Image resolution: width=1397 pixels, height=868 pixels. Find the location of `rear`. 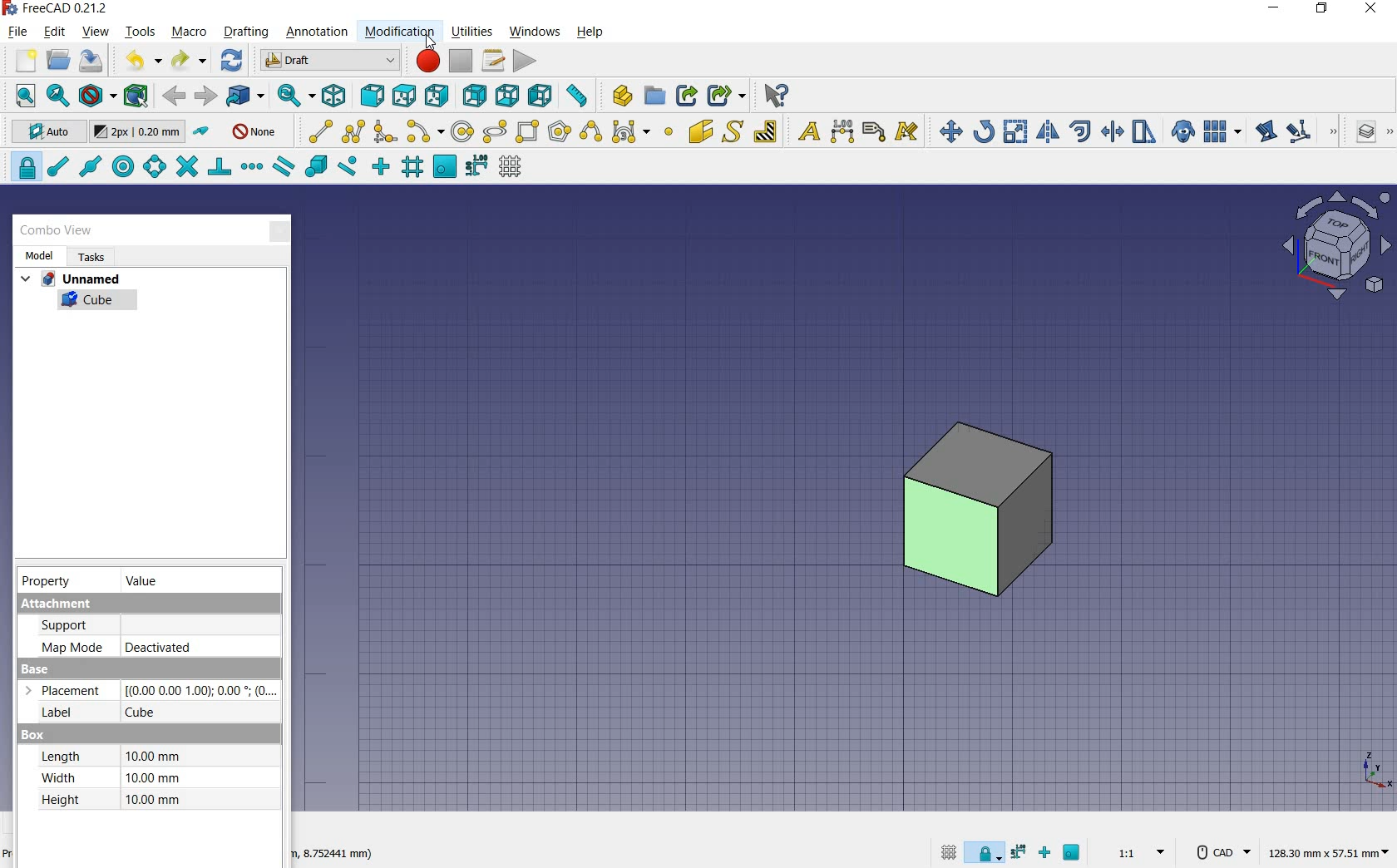

rear is located at coordinates (475, 96).